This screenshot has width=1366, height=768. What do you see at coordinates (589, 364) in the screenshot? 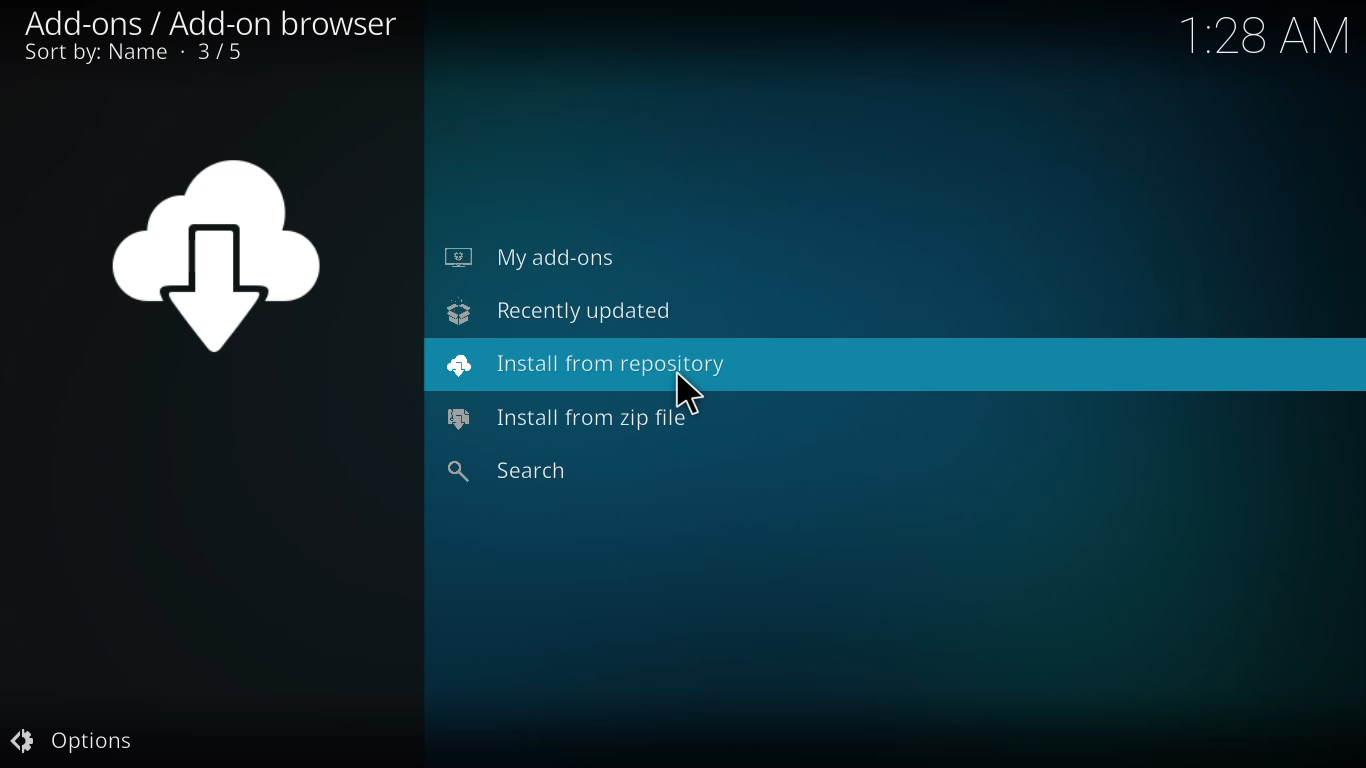
I see `install from repository` at bounding box center [589, 364].